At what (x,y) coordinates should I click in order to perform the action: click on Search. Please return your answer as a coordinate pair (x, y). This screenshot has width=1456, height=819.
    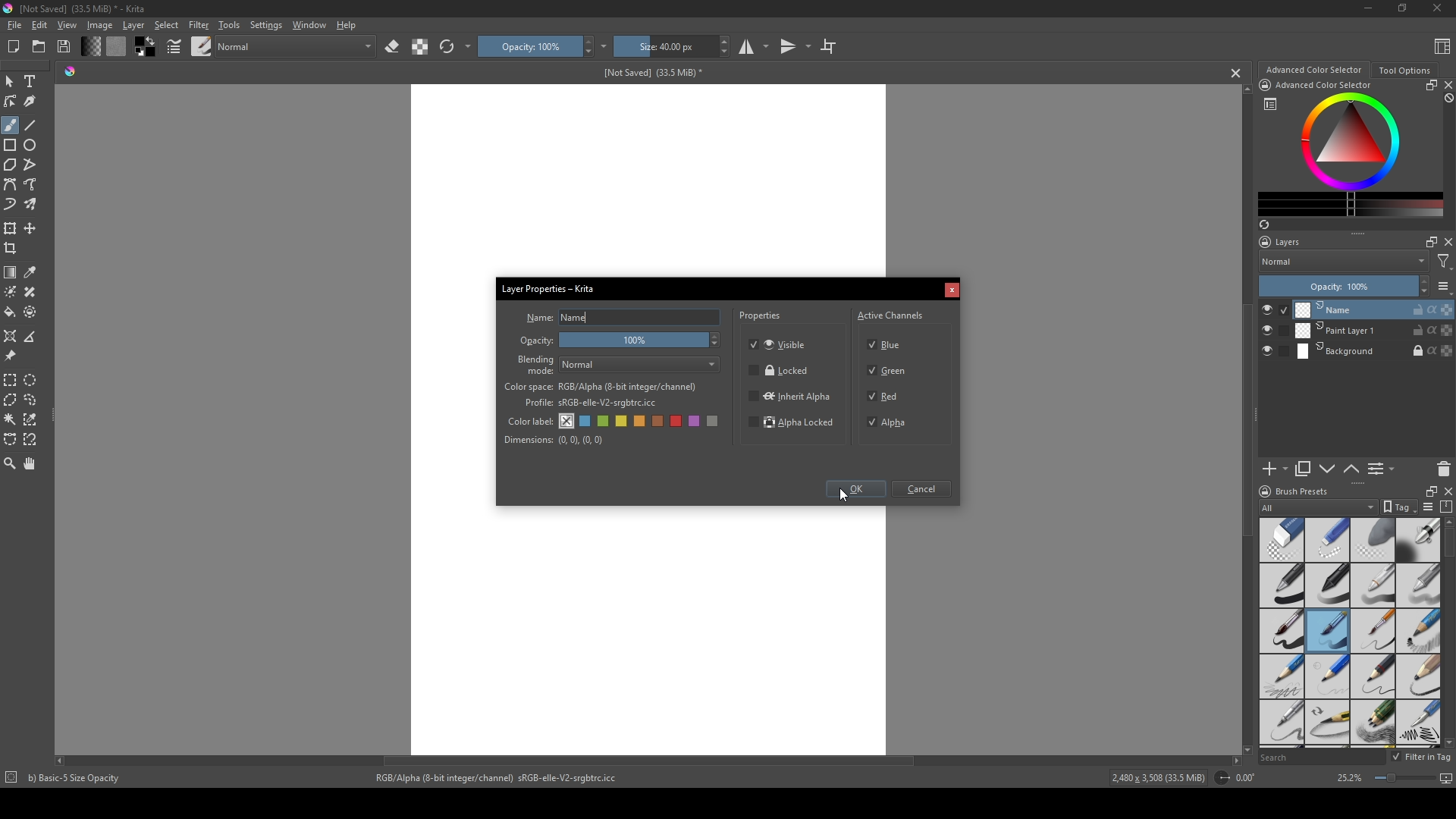
    Looking at the image, I should click on (1321, 758).